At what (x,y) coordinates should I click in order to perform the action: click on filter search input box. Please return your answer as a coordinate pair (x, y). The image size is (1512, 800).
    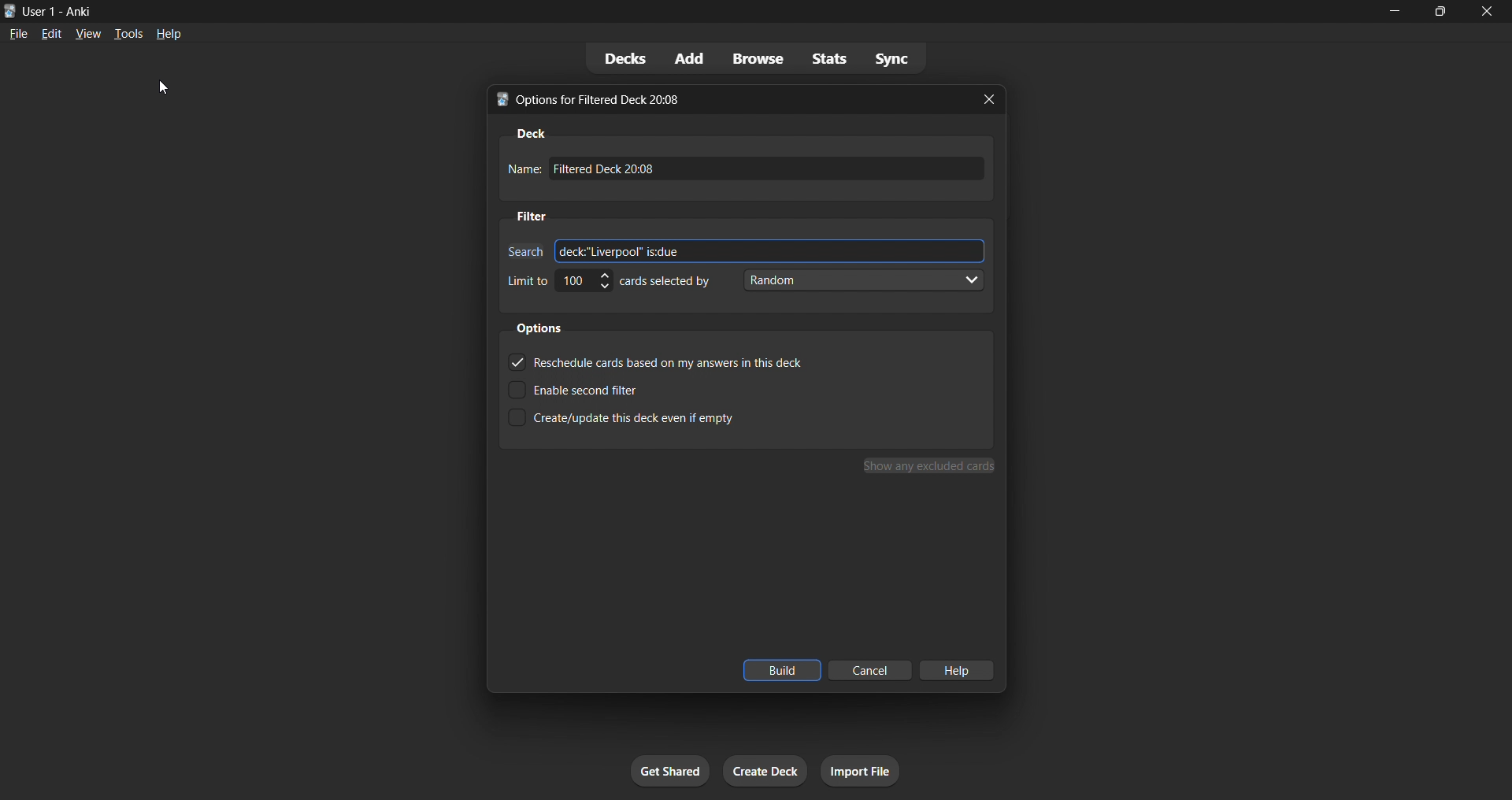
    Looking at the image, I should click on (772, 251).